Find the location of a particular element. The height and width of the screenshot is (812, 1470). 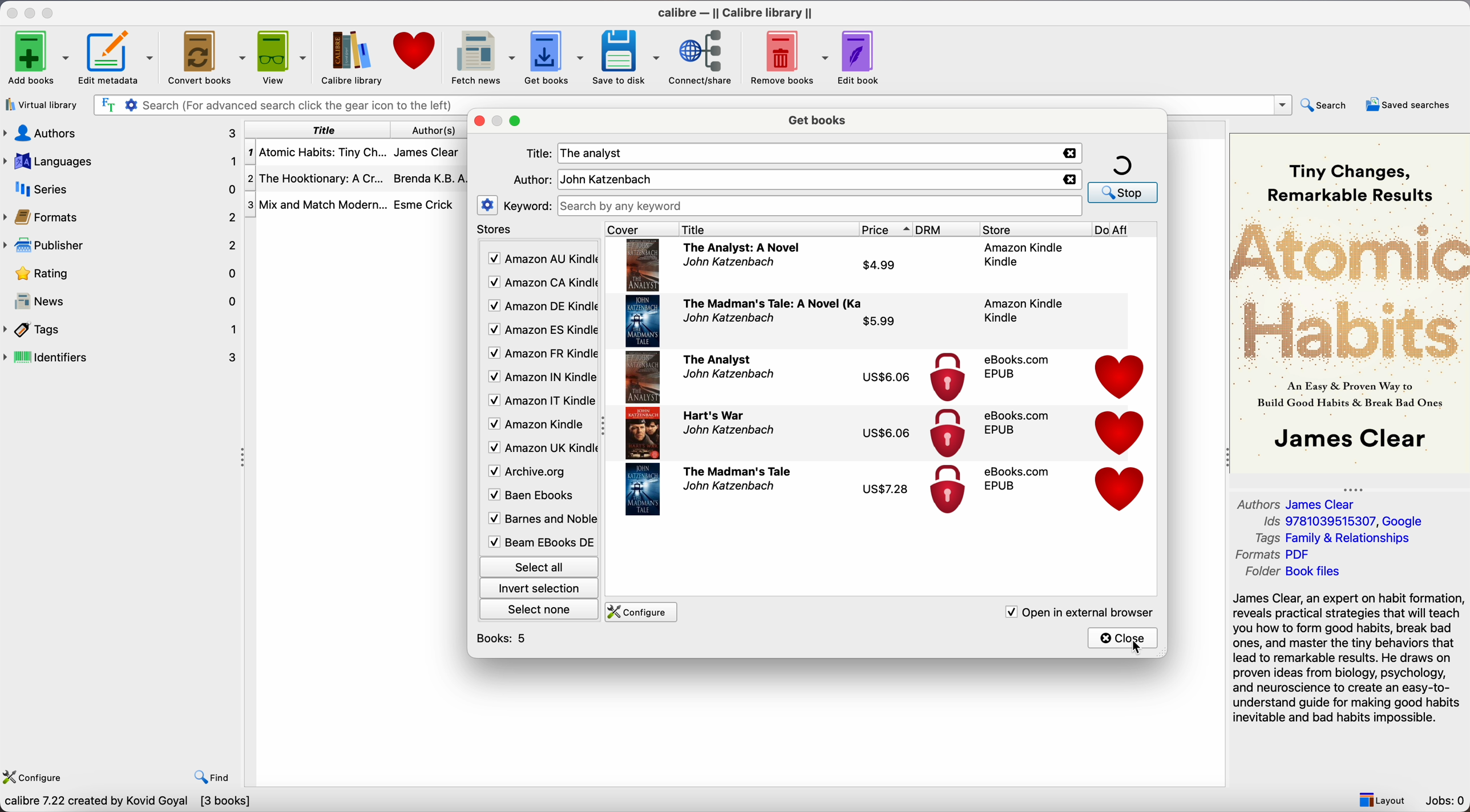

click on get books is located at coordinates (551, 58).